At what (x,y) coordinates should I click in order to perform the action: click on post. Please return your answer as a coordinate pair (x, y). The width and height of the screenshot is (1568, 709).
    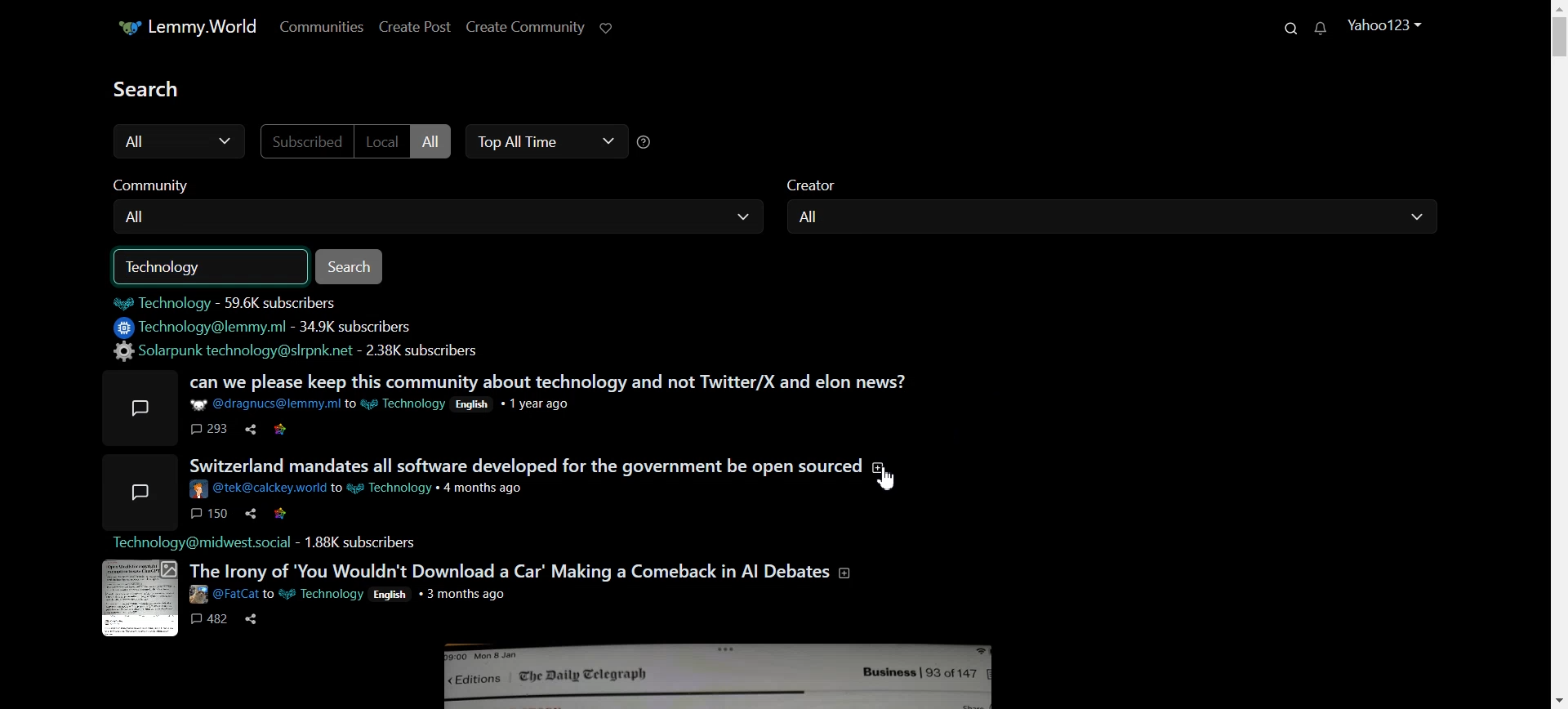
    Looking at the image, I should click on (138, 491).